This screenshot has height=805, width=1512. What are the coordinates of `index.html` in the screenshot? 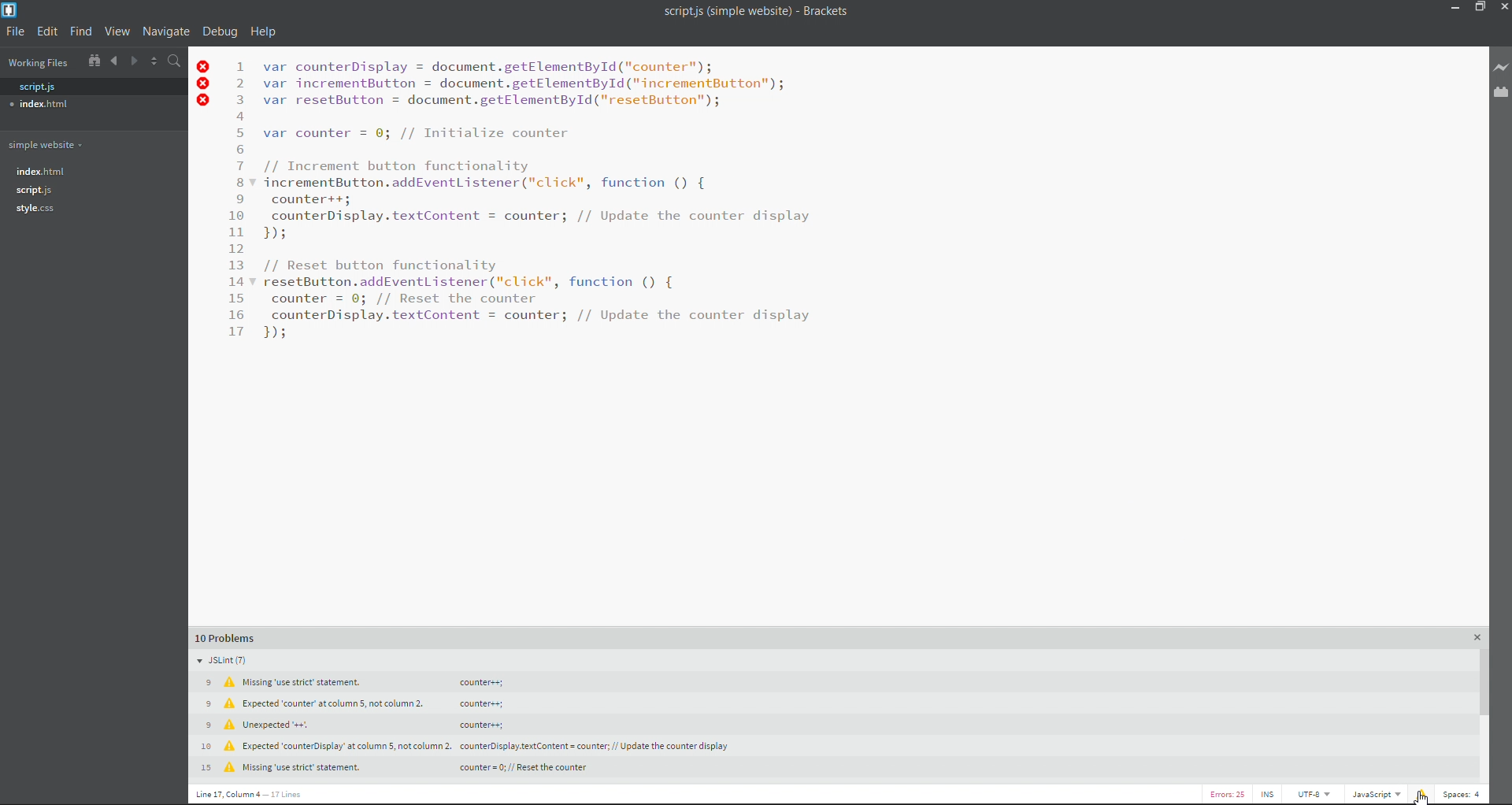 It's located at (41, 106).